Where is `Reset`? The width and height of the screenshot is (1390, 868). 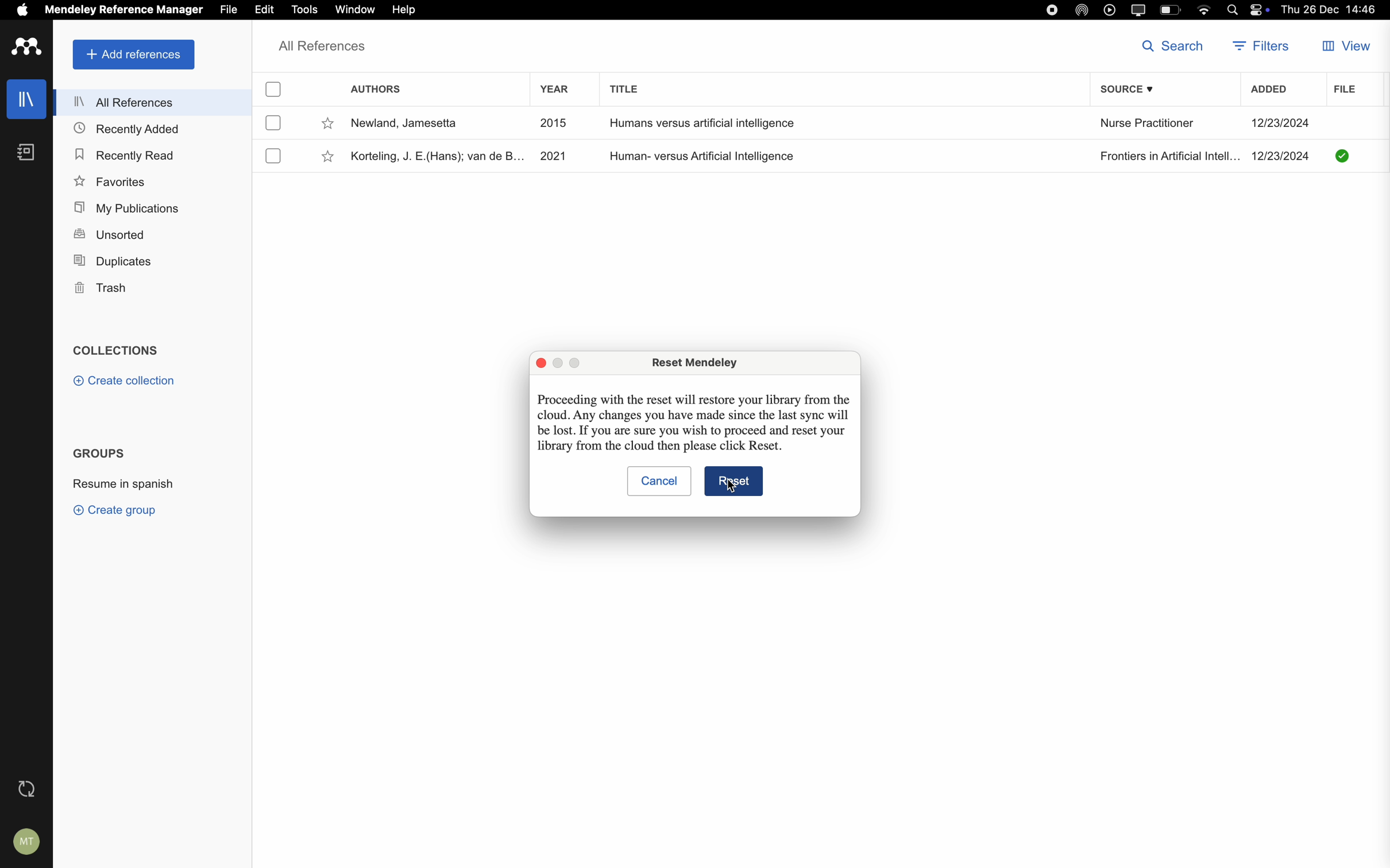
Reset is located at coordinates (733, 482).